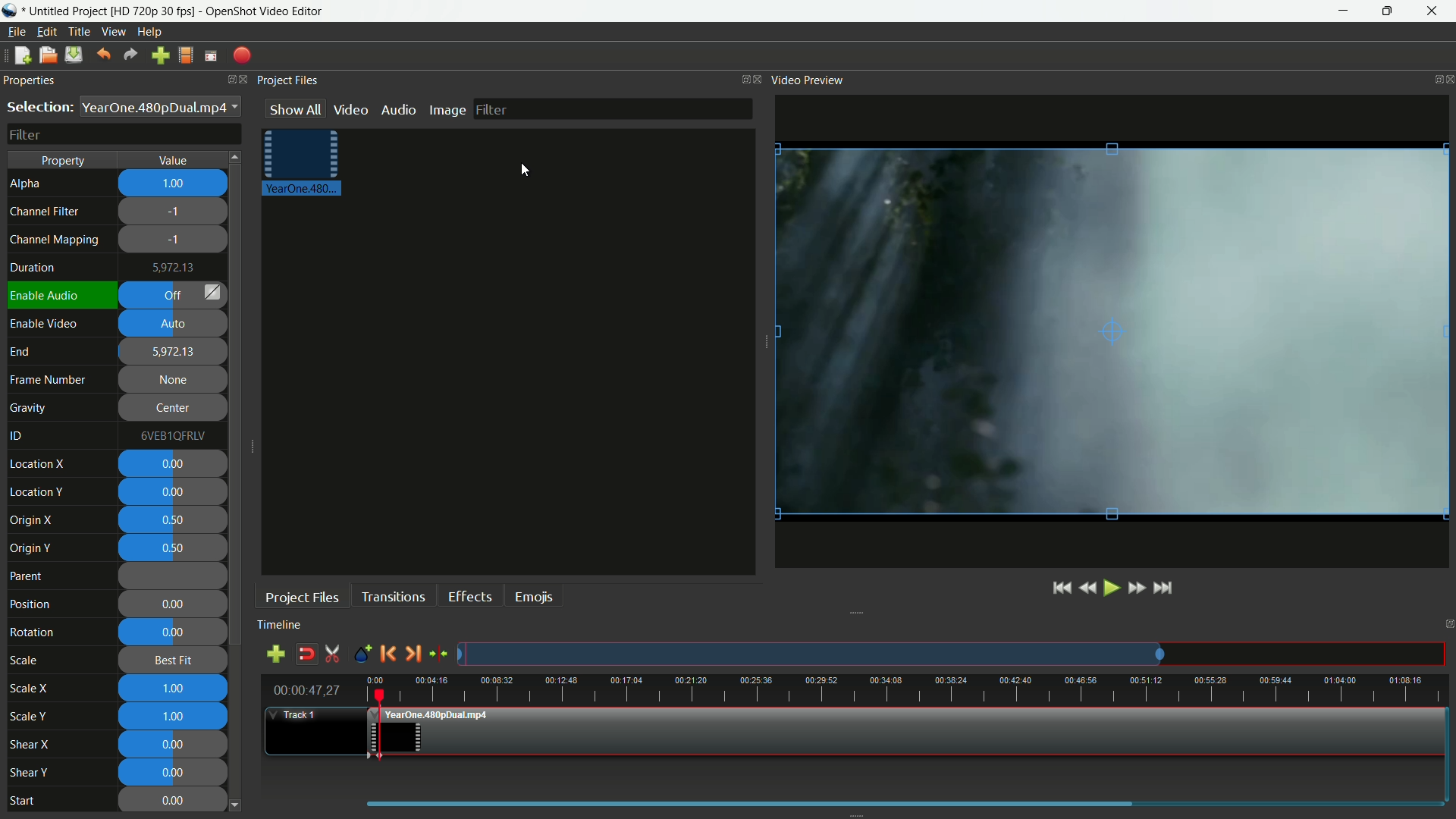 The width and height of the screenshot is (1456, 819). What do you see at coordinates (44, 324) in the screenshot?
I see `enable video` at bounding box center [44, 324].